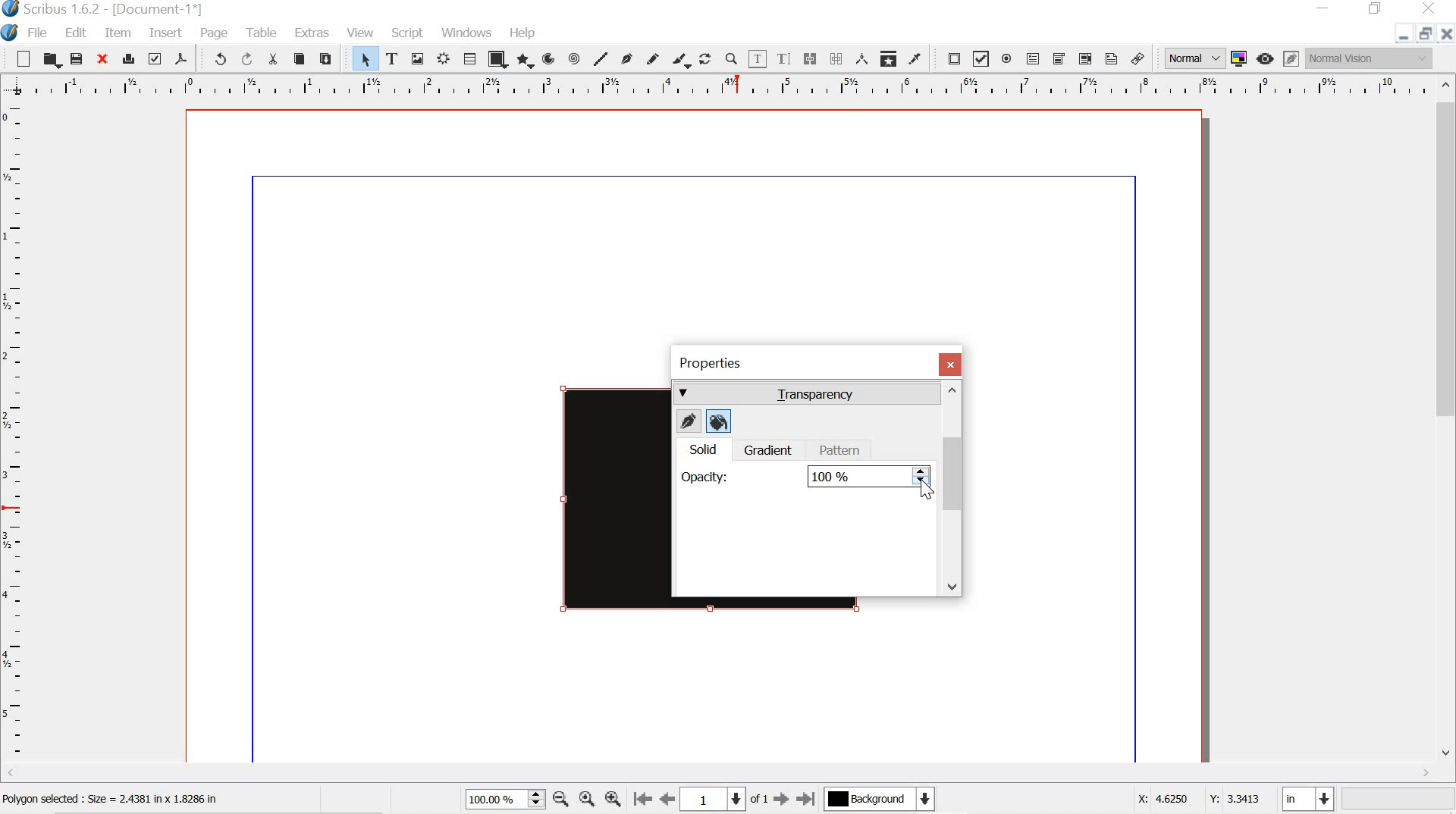 The image size is (1456, 814). Describe the element at coordinates (712, 800) in the screenshot. I see `1` at that location.